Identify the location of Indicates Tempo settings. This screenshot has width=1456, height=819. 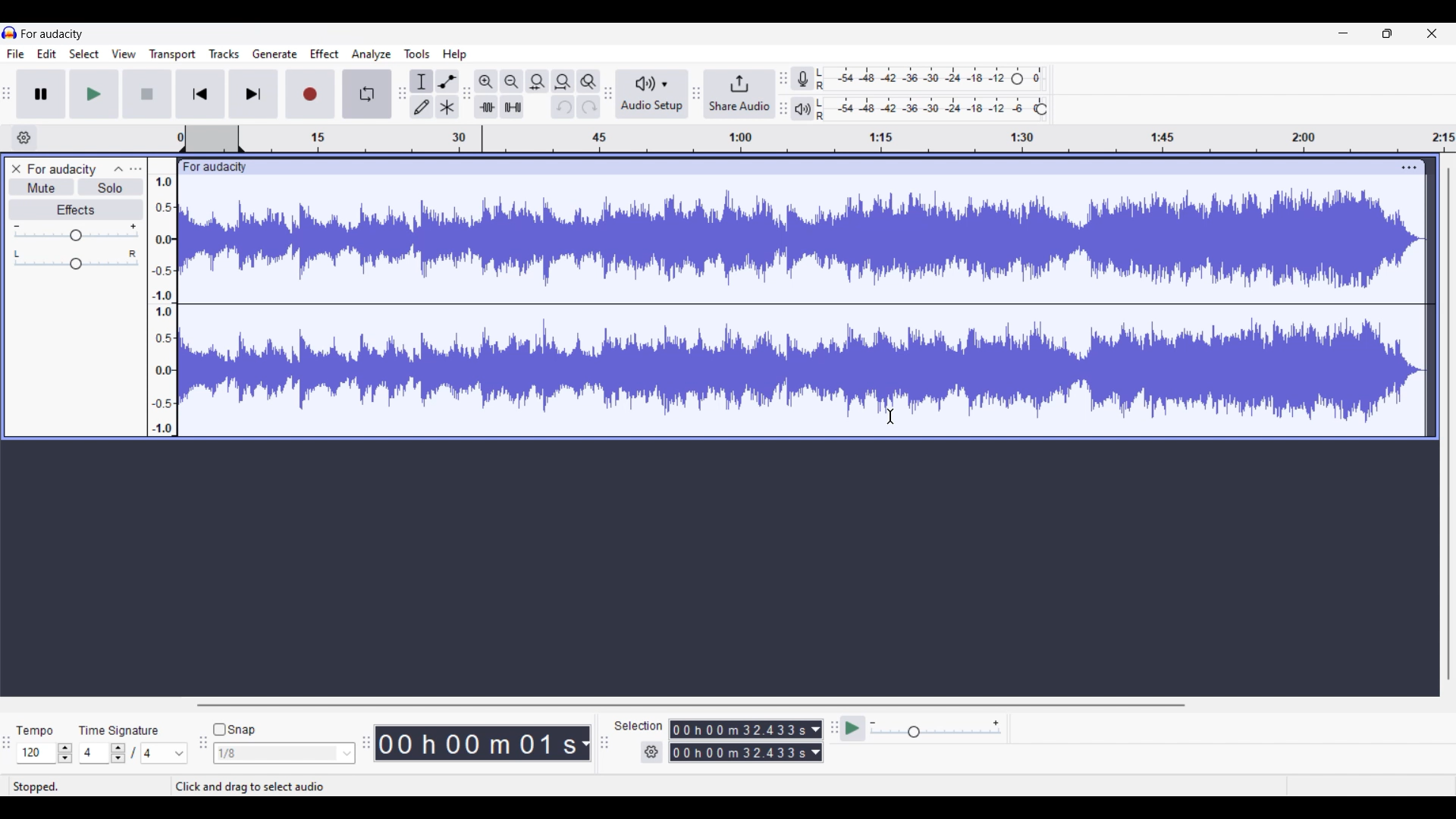
(36, 730).